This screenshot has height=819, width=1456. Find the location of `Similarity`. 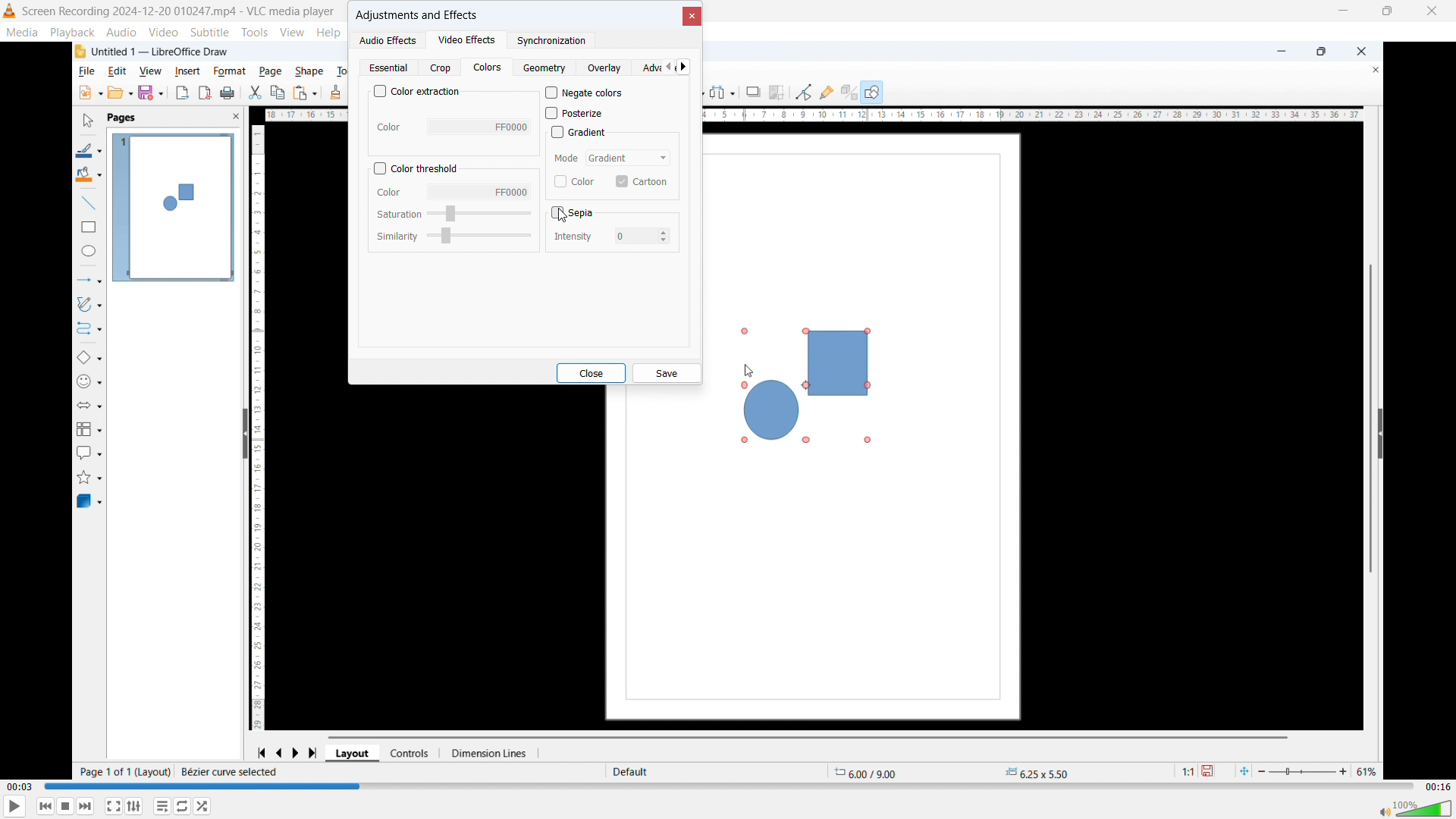

Similarity is located at coordinates (397, 237).